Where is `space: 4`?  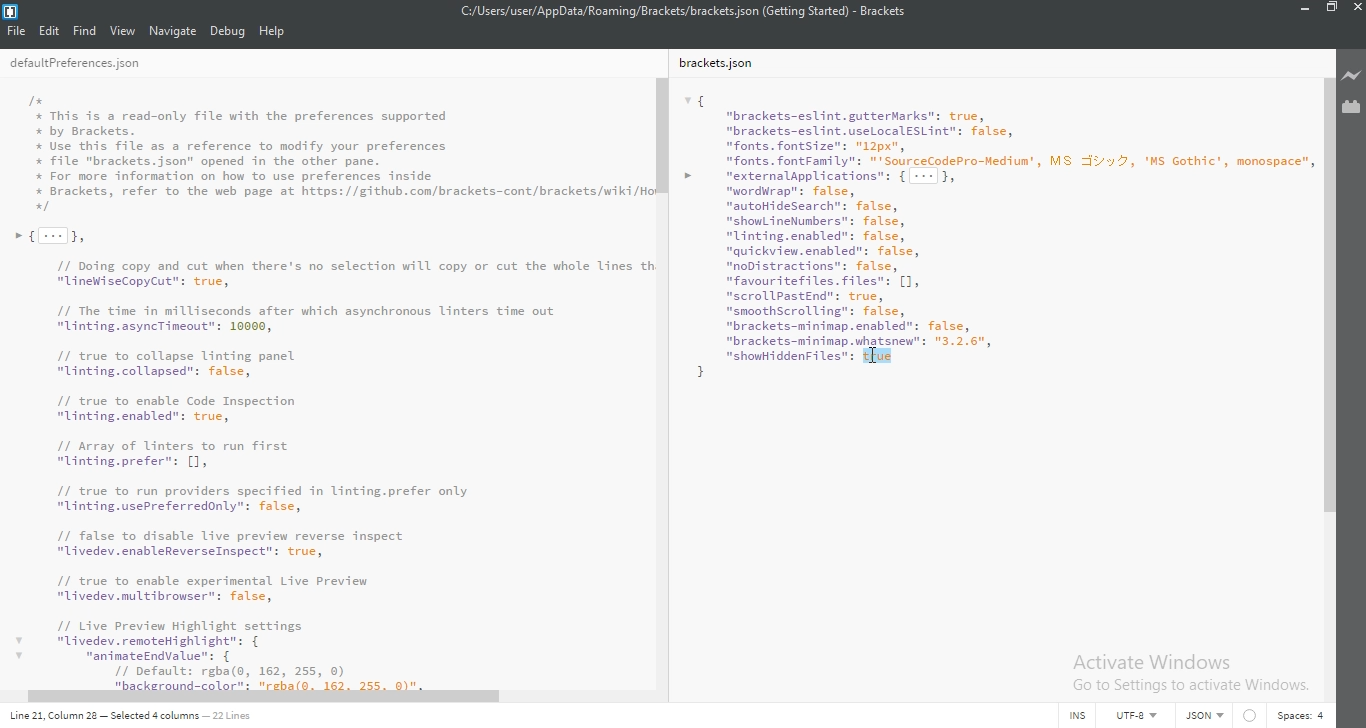
space: 4 is located at coordinates (1304, 716).